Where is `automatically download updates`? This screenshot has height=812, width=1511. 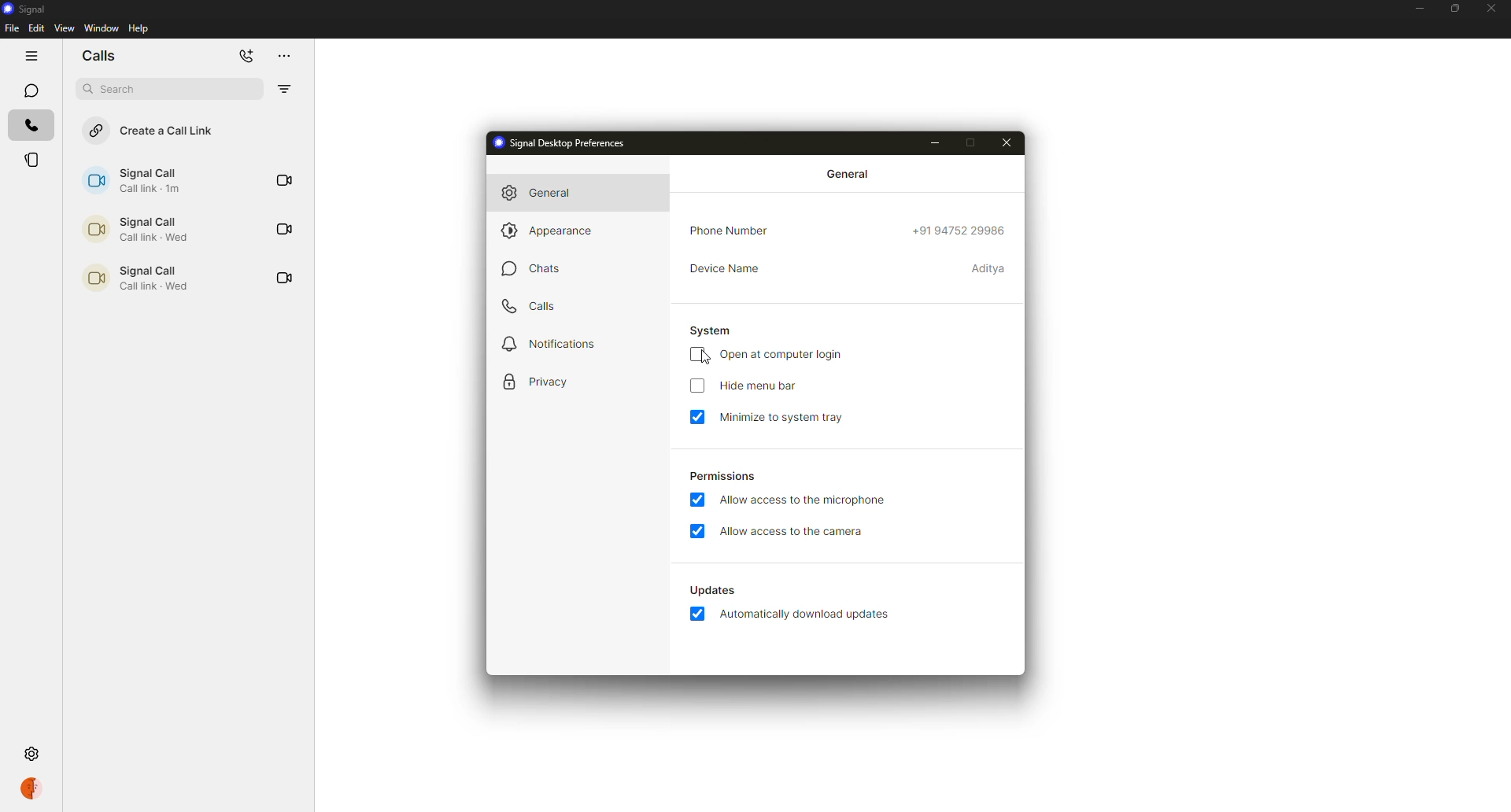 automatically download updates is located at coordinates (808, 615).